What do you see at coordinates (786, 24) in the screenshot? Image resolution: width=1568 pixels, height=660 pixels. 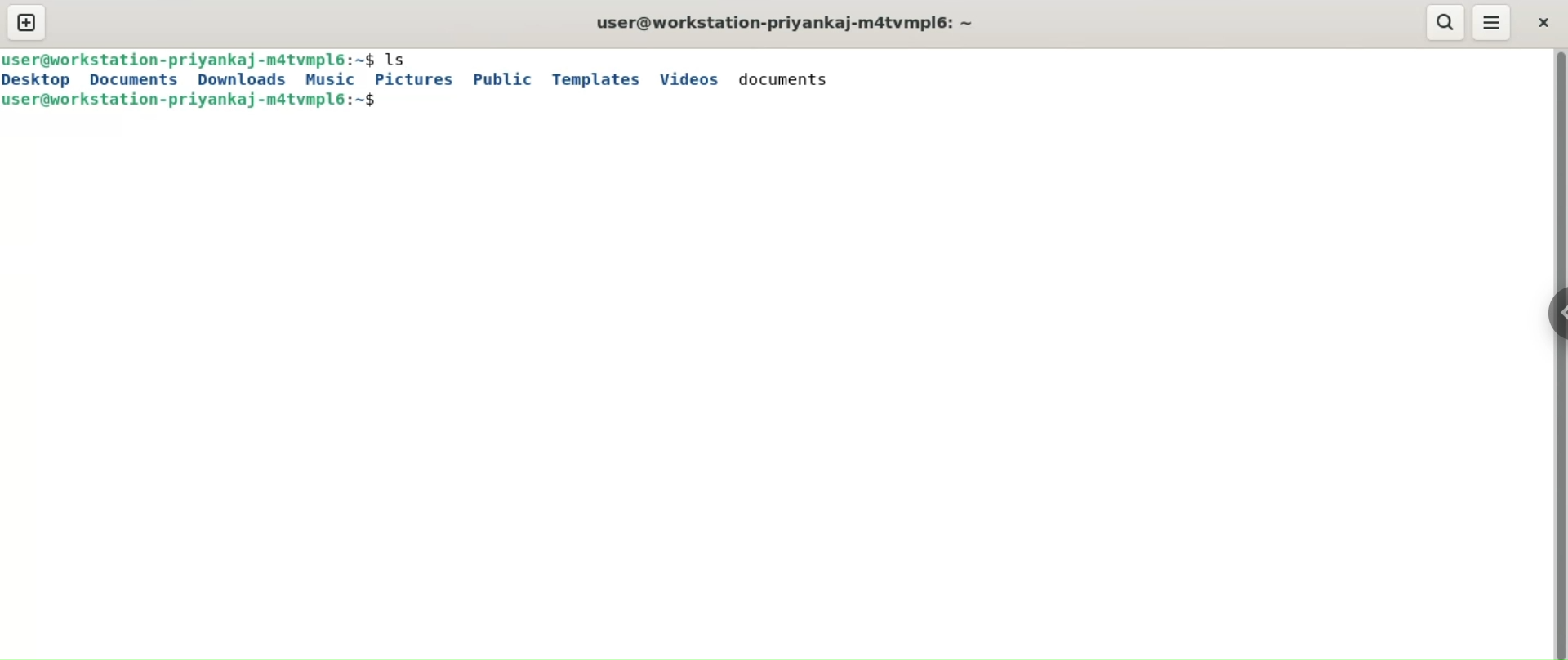 I see `user@workstation-priyankaj-m4tvmplé: ~` at bounding box center [786, 24].